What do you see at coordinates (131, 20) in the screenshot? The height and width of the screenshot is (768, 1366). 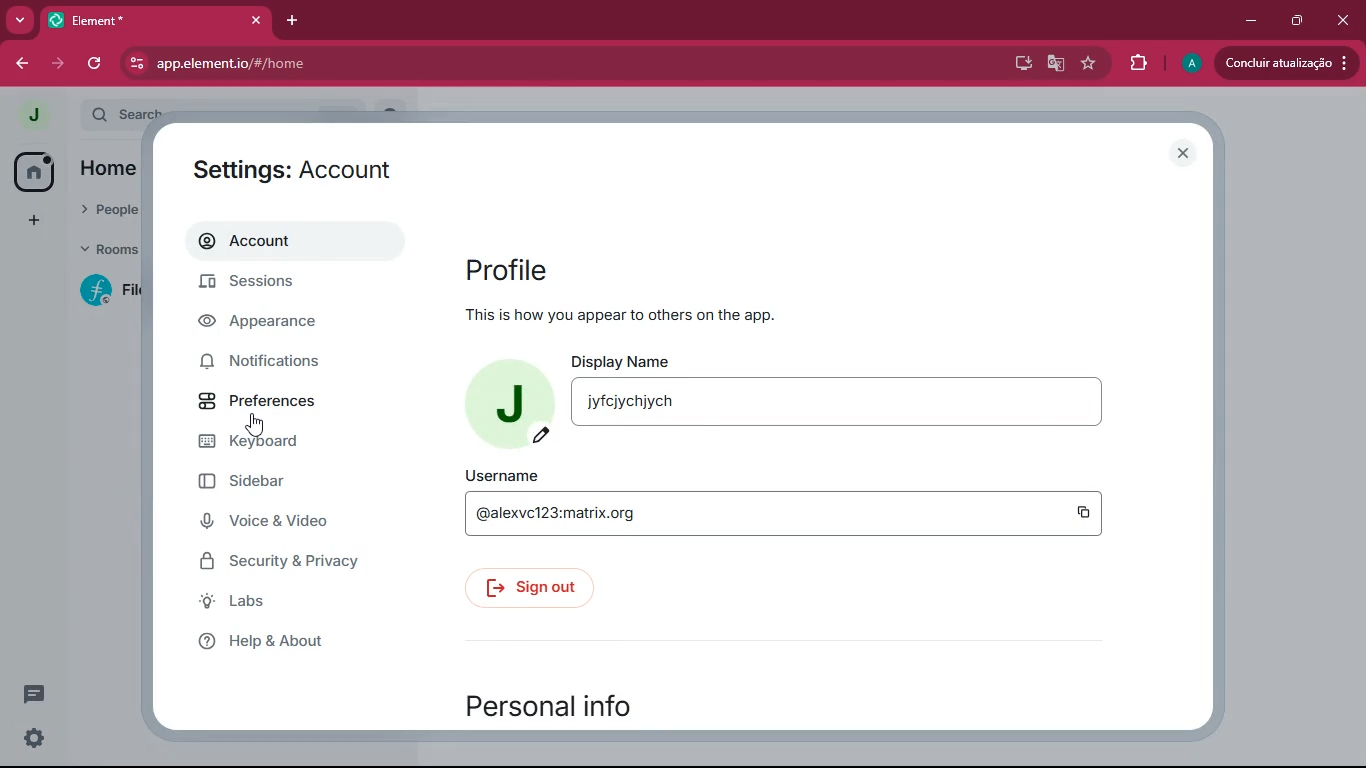 I see `element*` at bounding box center [131, 20].